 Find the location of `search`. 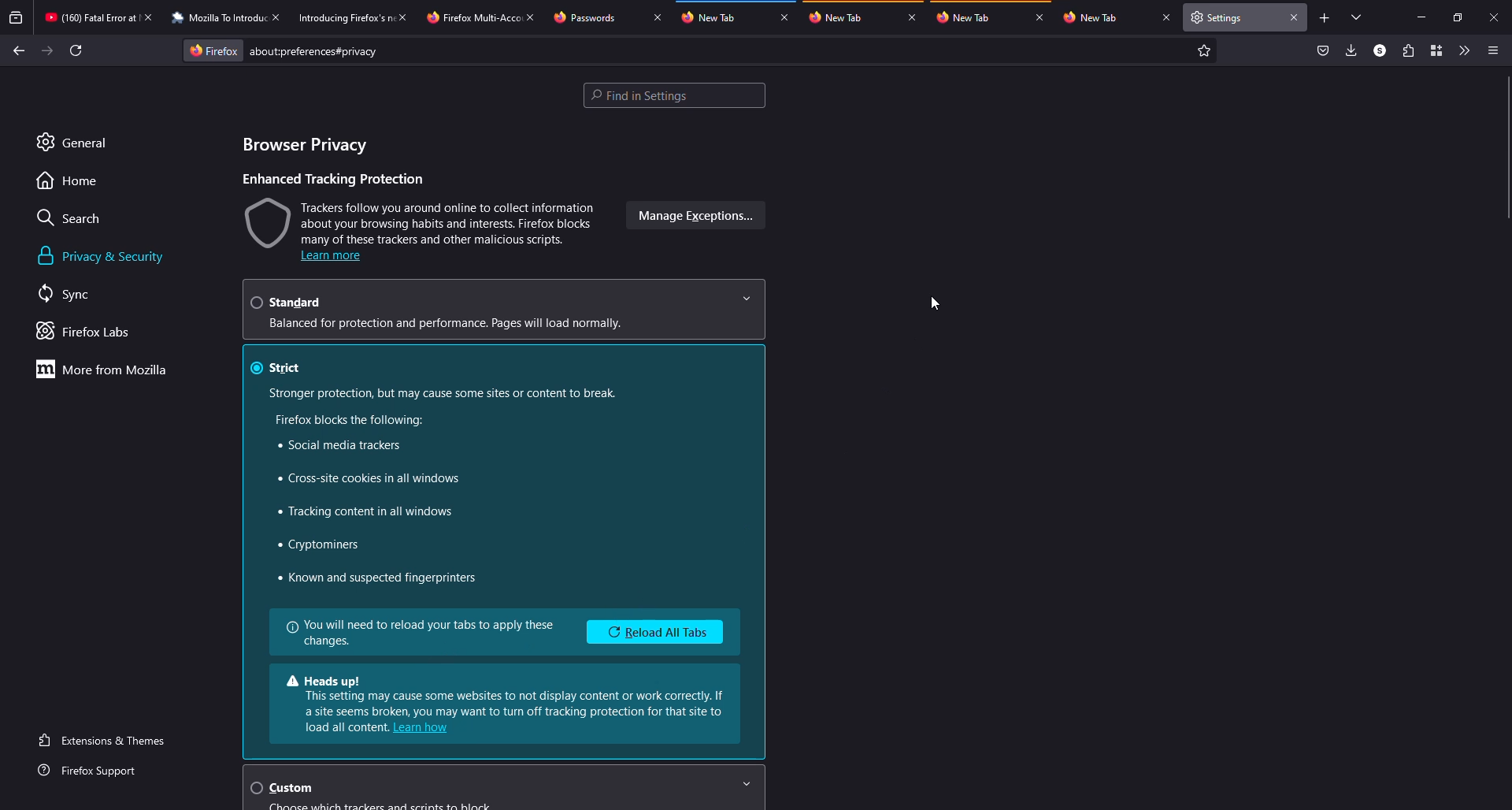

search is located at coordinates (72, 217).